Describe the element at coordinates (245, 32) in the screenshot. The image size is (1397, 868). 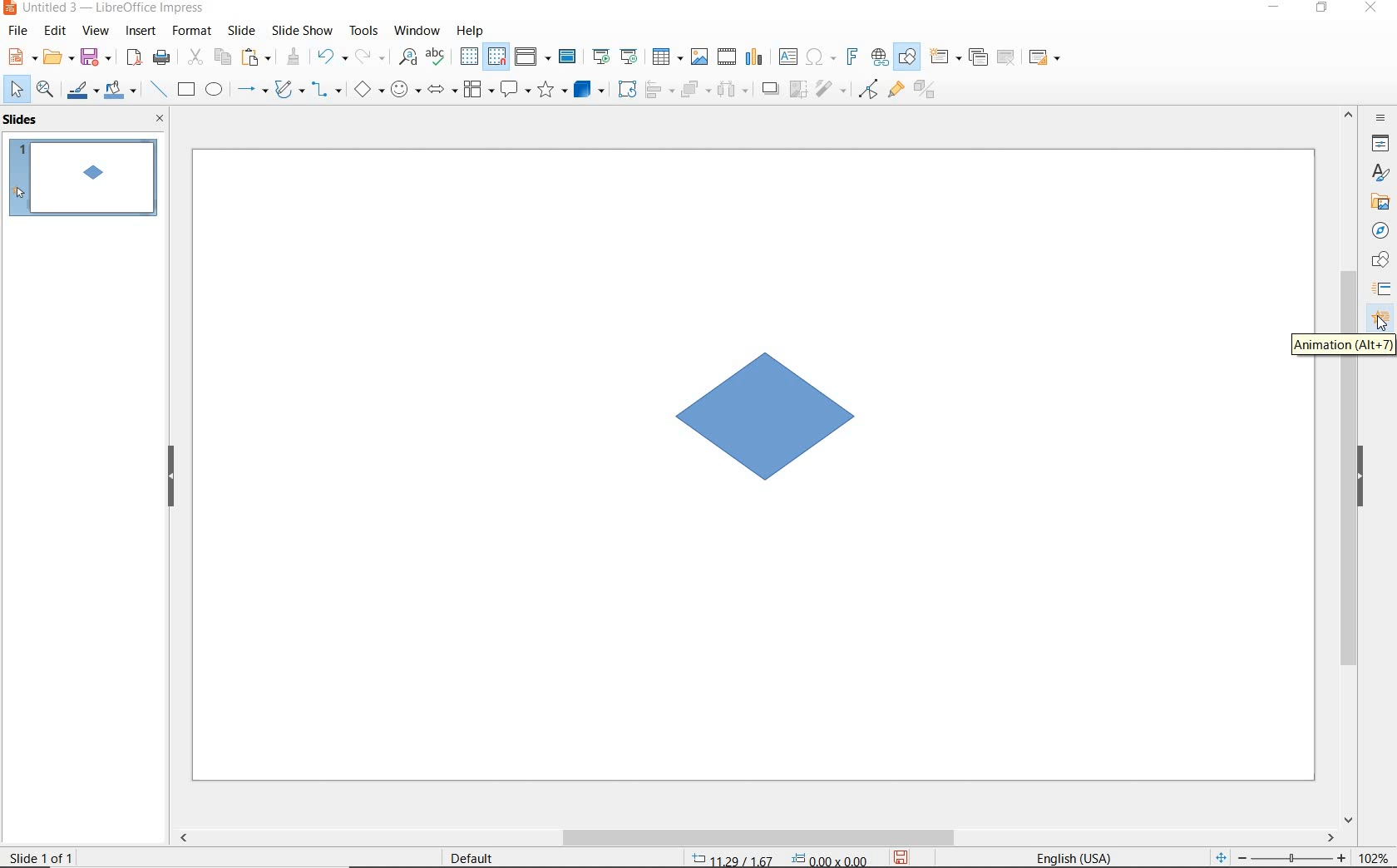
I see `slide` at that location.